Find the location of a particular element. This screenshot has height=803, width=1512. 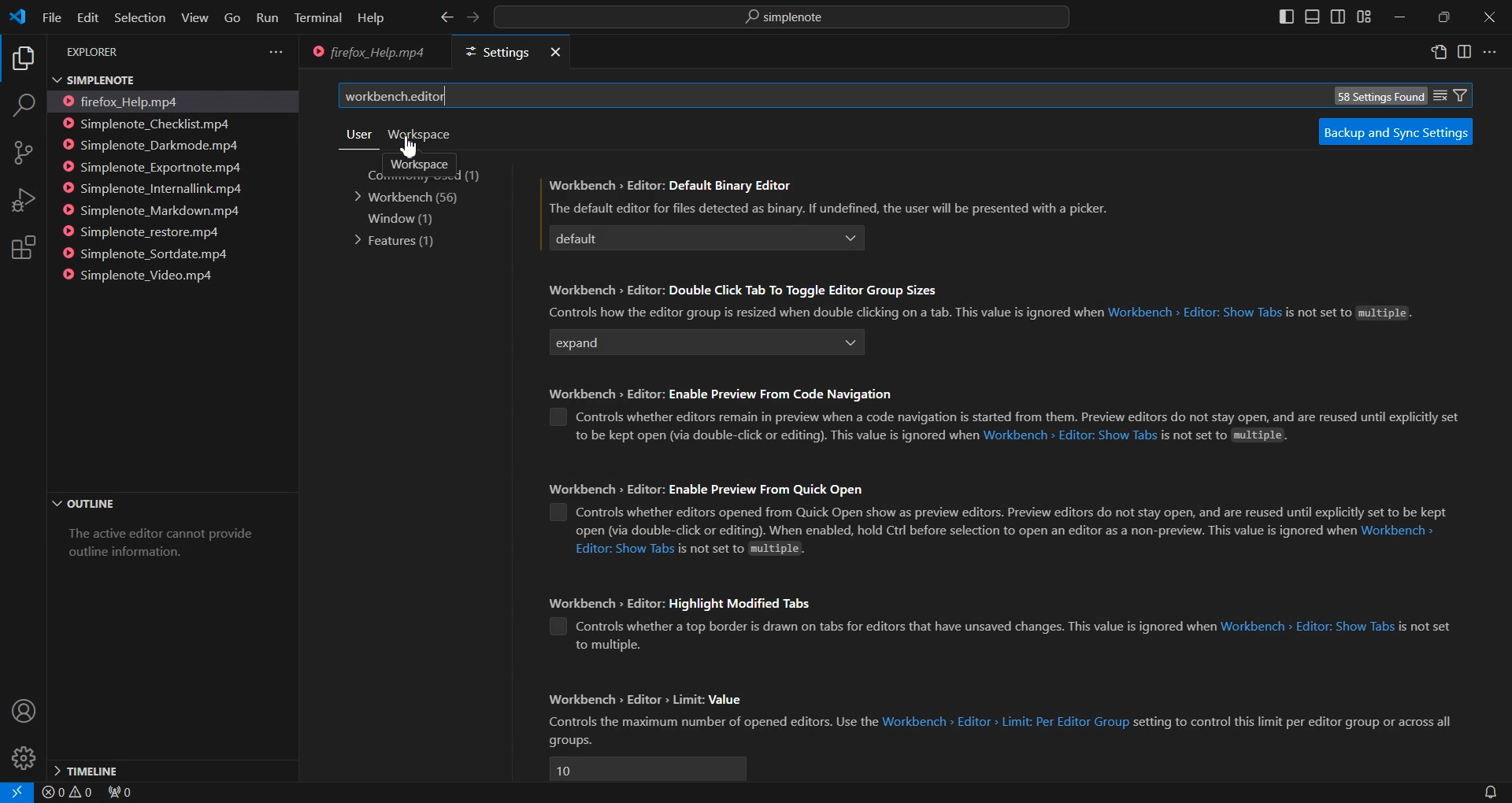

cursor is located at coordinates (409, 147).